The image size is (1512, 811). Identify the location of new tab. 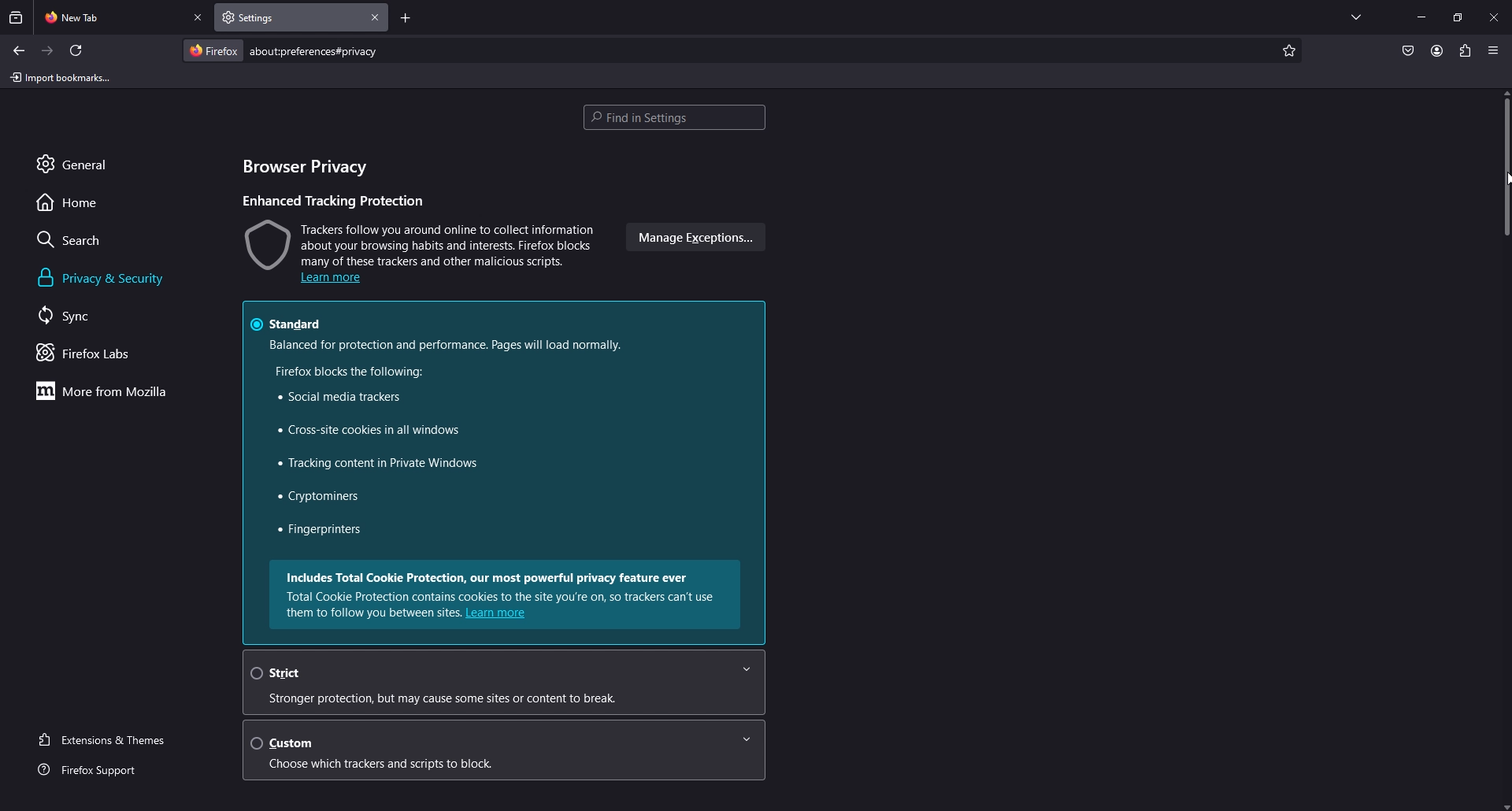
(111, 16).